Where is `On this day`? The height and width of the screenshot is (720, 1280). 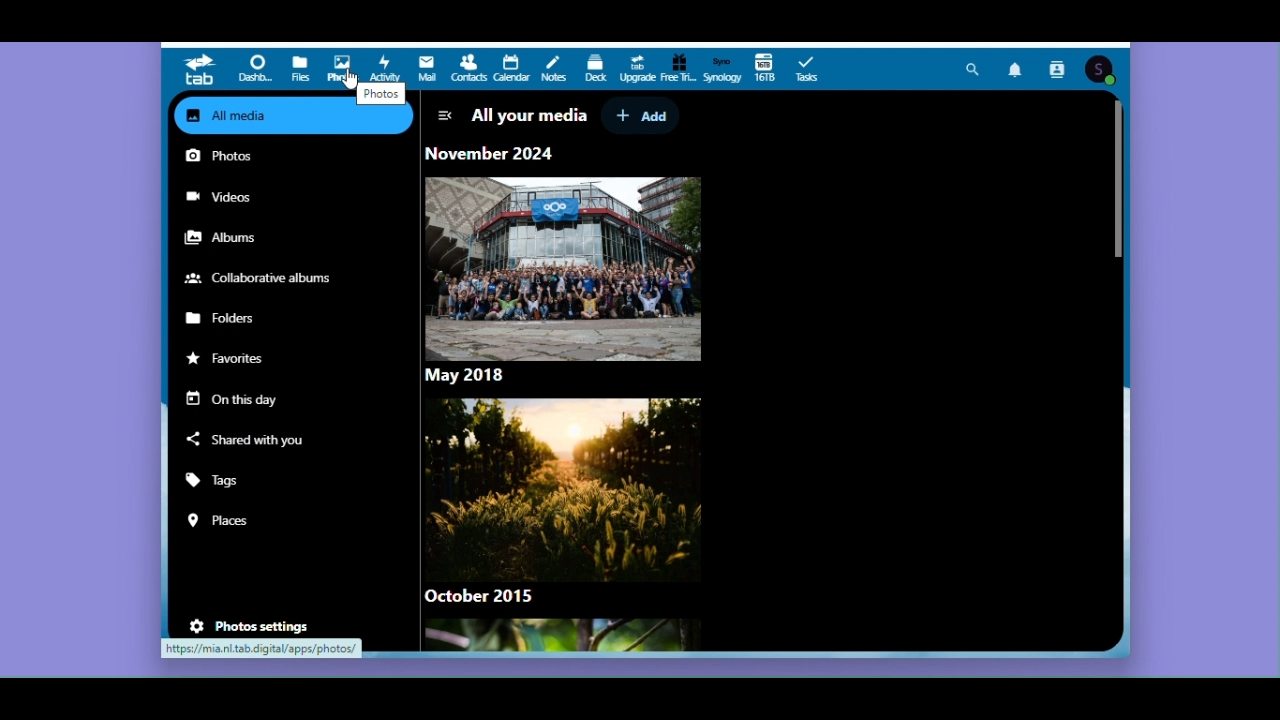
On this day is located at coordinates (235, 396).